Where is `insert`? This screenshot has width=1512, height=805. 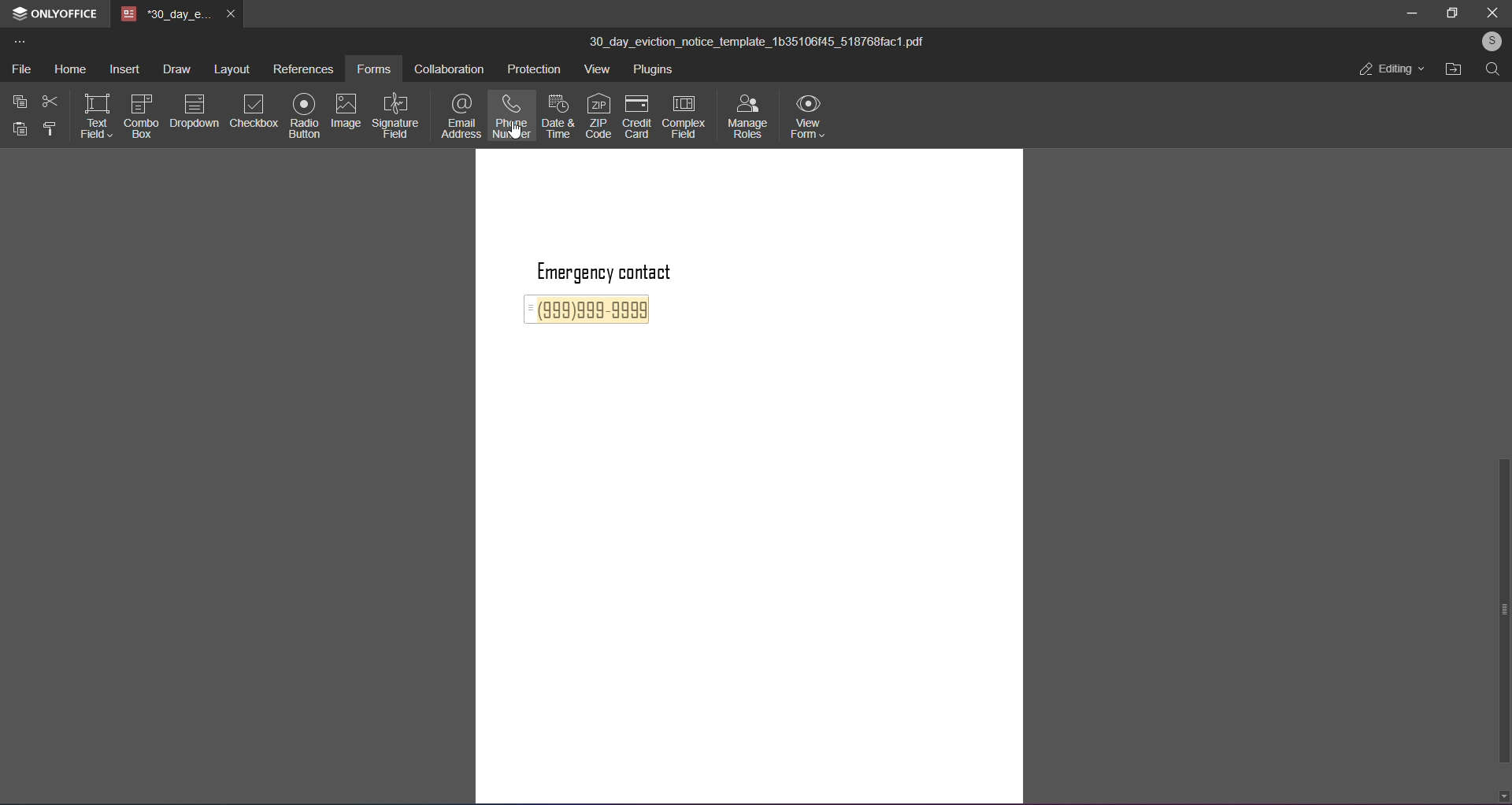 insert is located at coordinates (121, 72).